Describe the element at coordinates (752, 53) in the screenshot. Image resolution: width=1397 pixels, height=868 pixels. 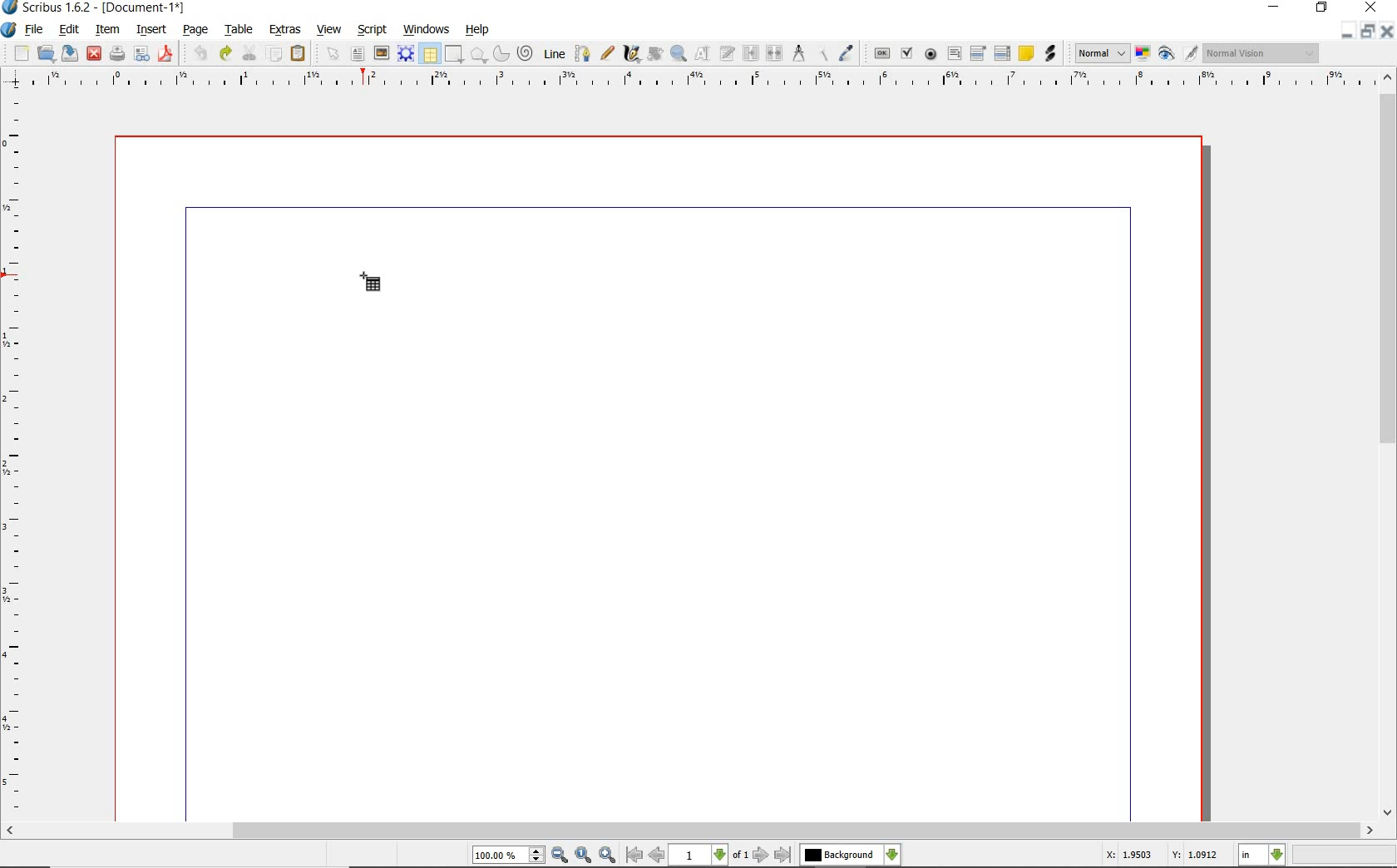
I see `link text frames` at that location.